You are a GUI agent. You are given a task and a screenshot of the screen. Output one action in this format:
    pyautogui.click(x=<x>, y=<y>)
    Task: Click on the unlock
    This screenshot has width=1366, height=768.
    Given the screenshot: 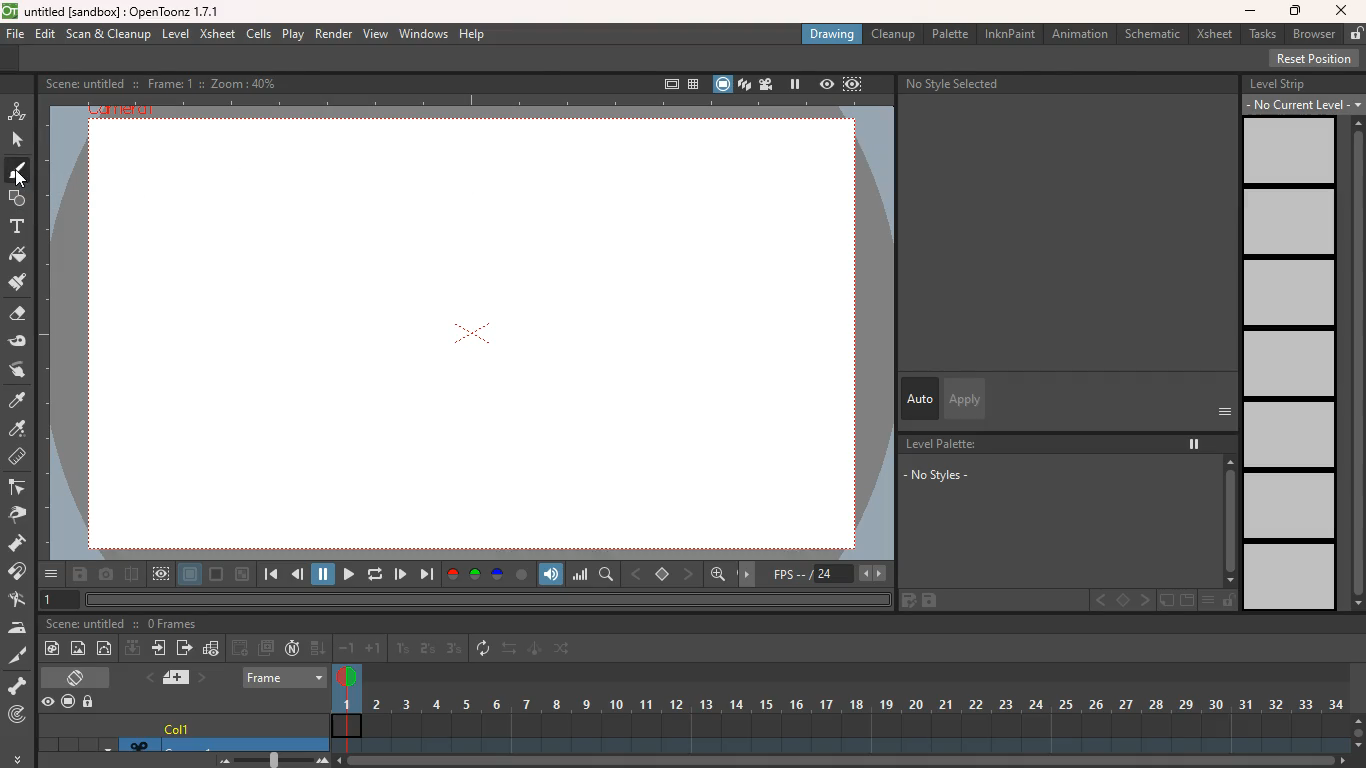 What is the action you would take?
    pyautogui.click(x=92, y=701)
    